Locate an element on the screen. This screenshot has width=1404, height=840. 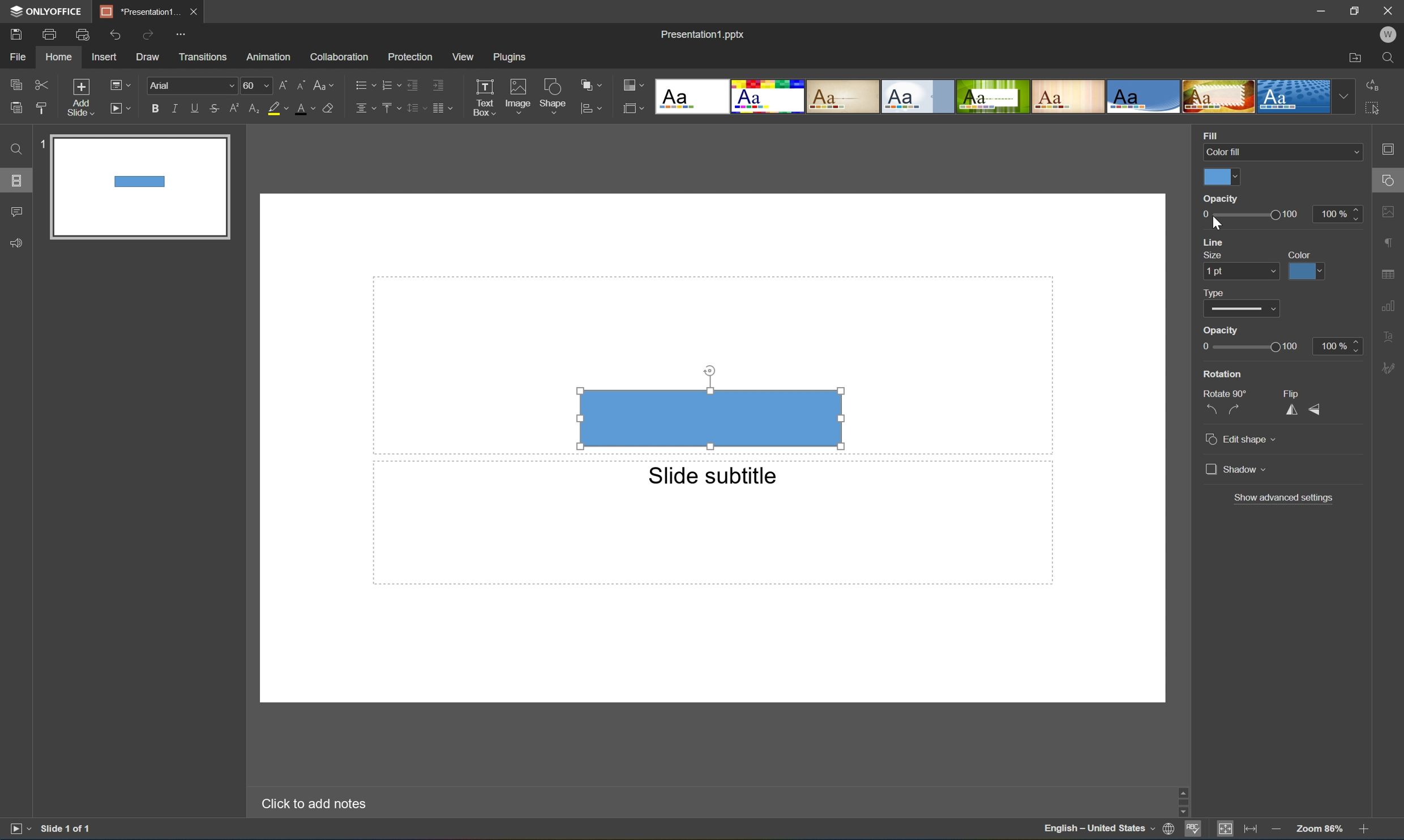
Presentation1... is located at coordinates (136, 11).